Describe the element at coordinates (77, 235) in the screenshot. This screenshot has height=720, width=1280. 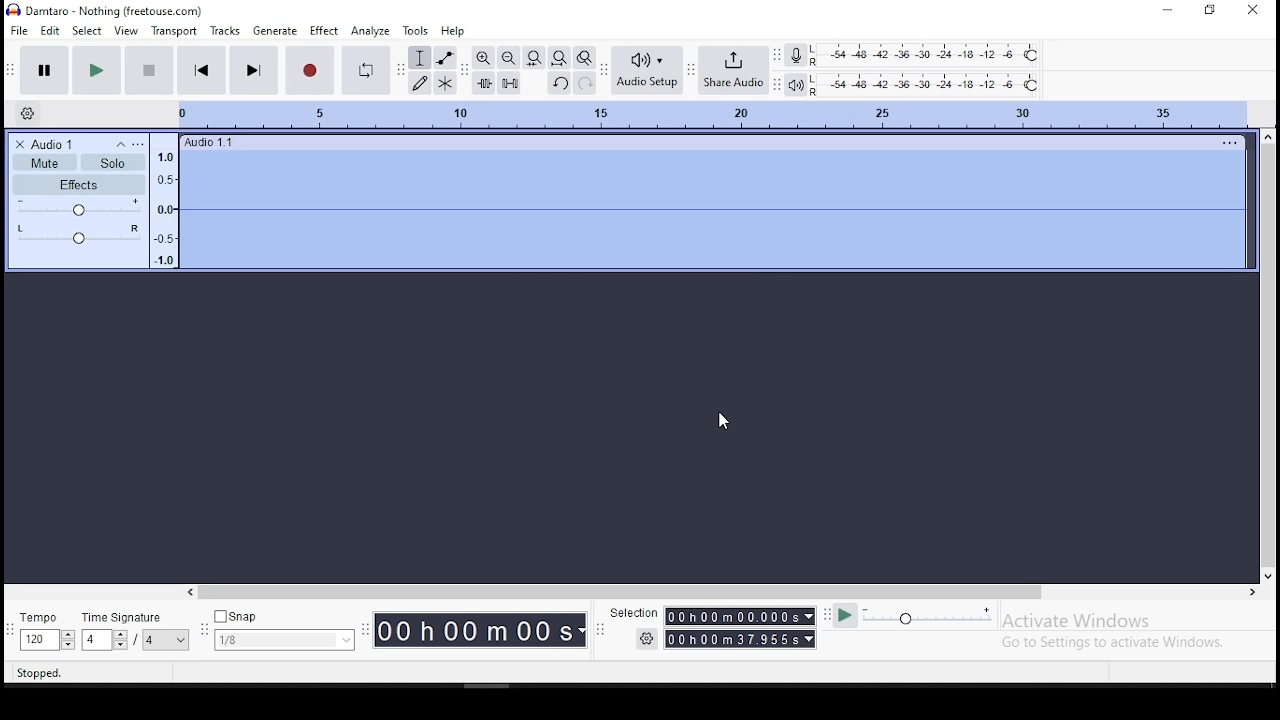
I see `L/R Audio` at that location.